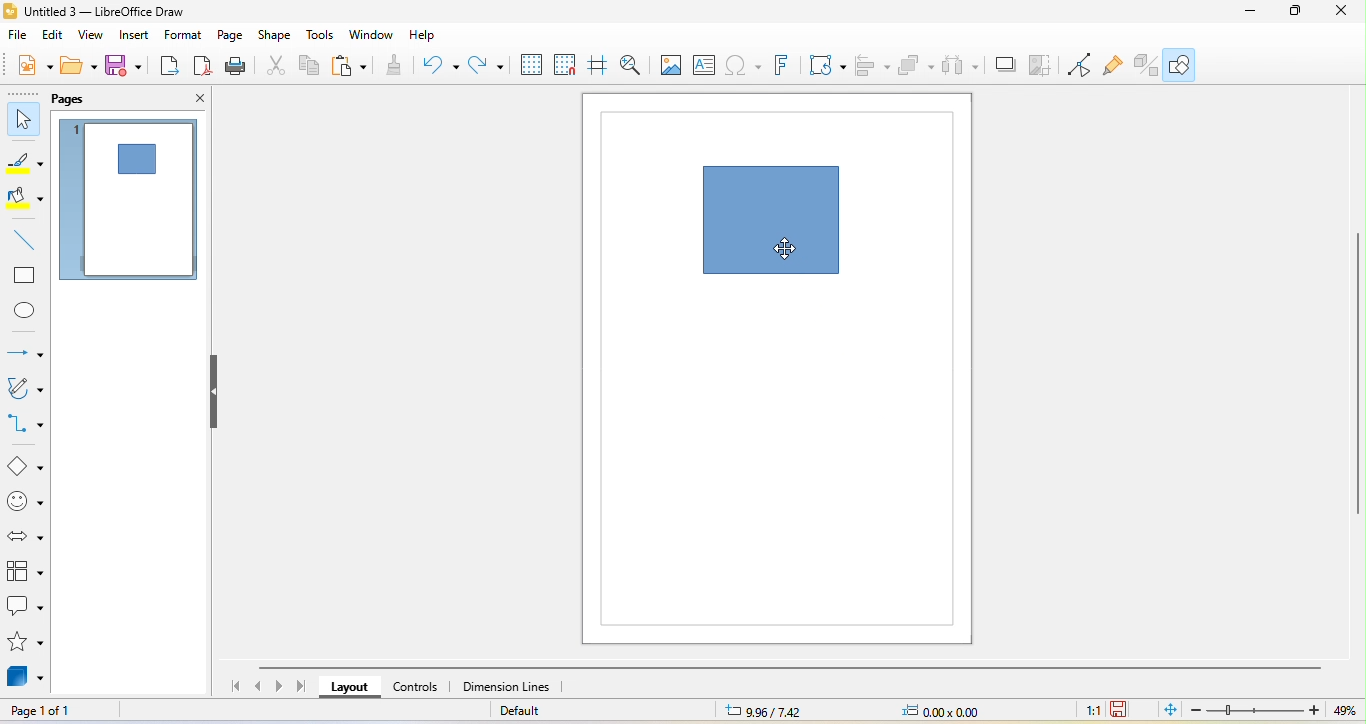  Describe the element at coordinates (274, 66) in the screenshot. I see `cut` at that location.